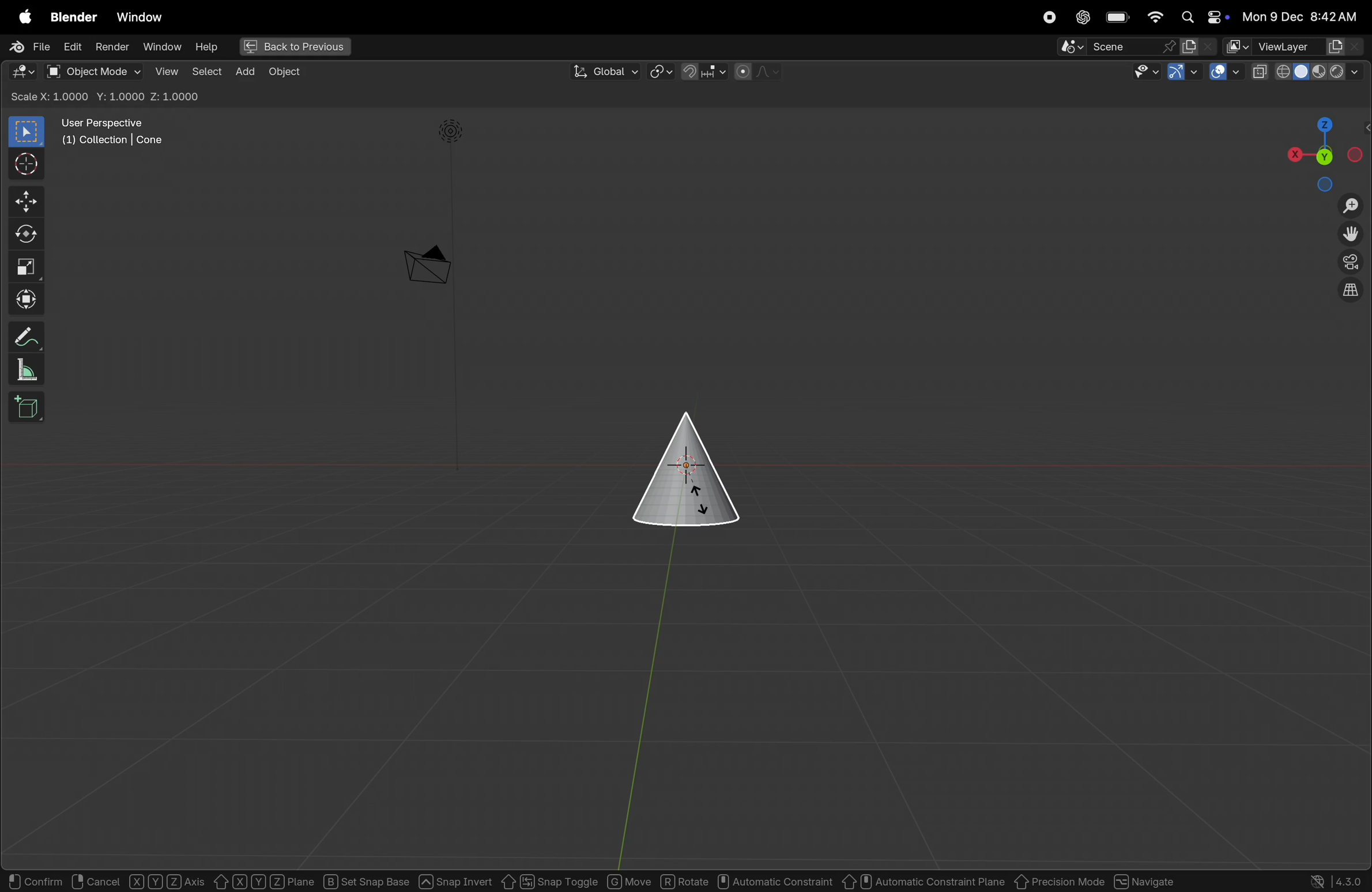  What do you see at coordinates (1155, 17) in the screenshot?
I see `wifi` at bounding box center [1155, 17].